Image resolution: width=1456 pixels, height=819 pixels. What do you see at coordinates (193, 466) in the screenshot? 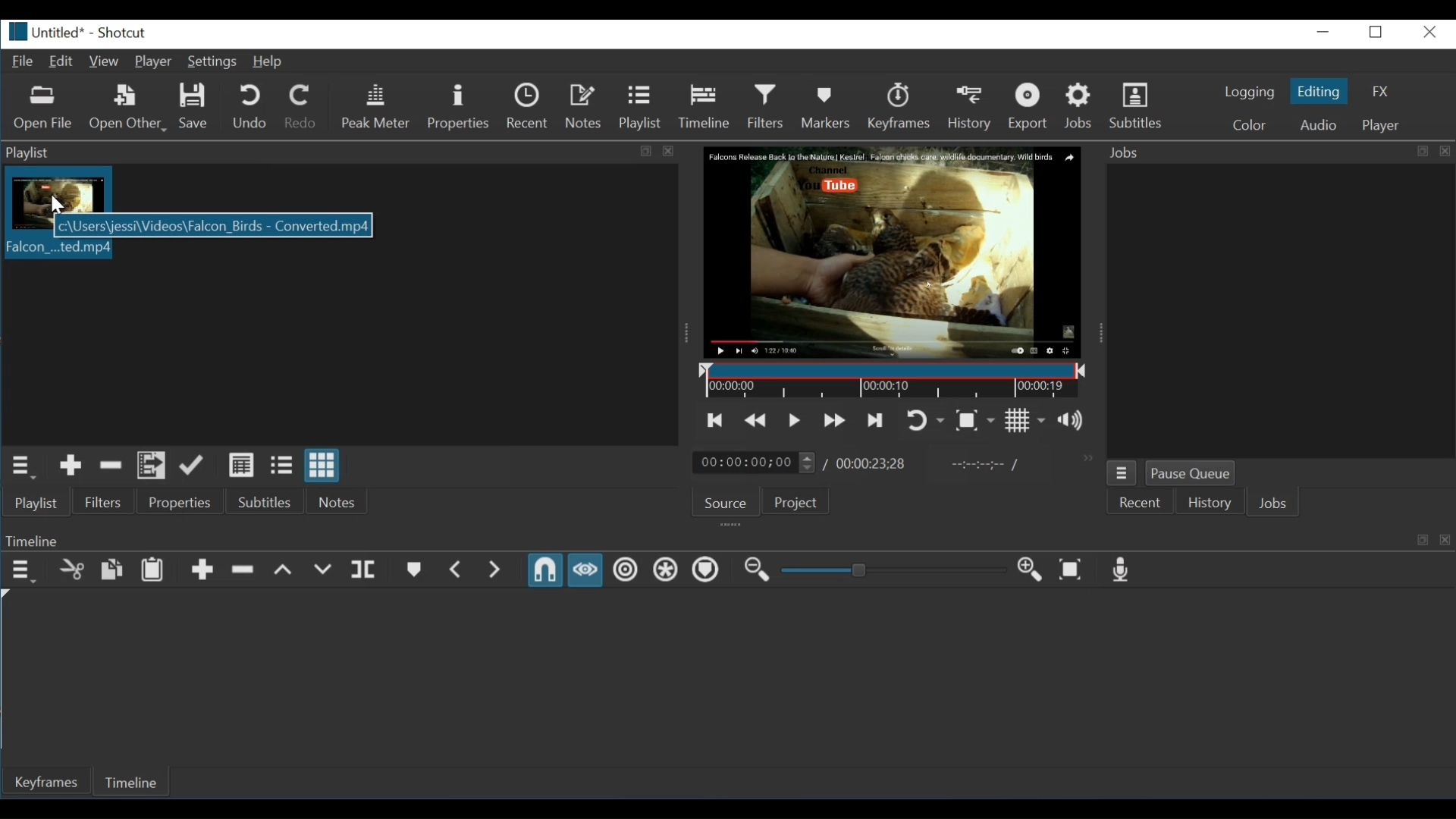
I see `Update` at bounding box center [193, 466].